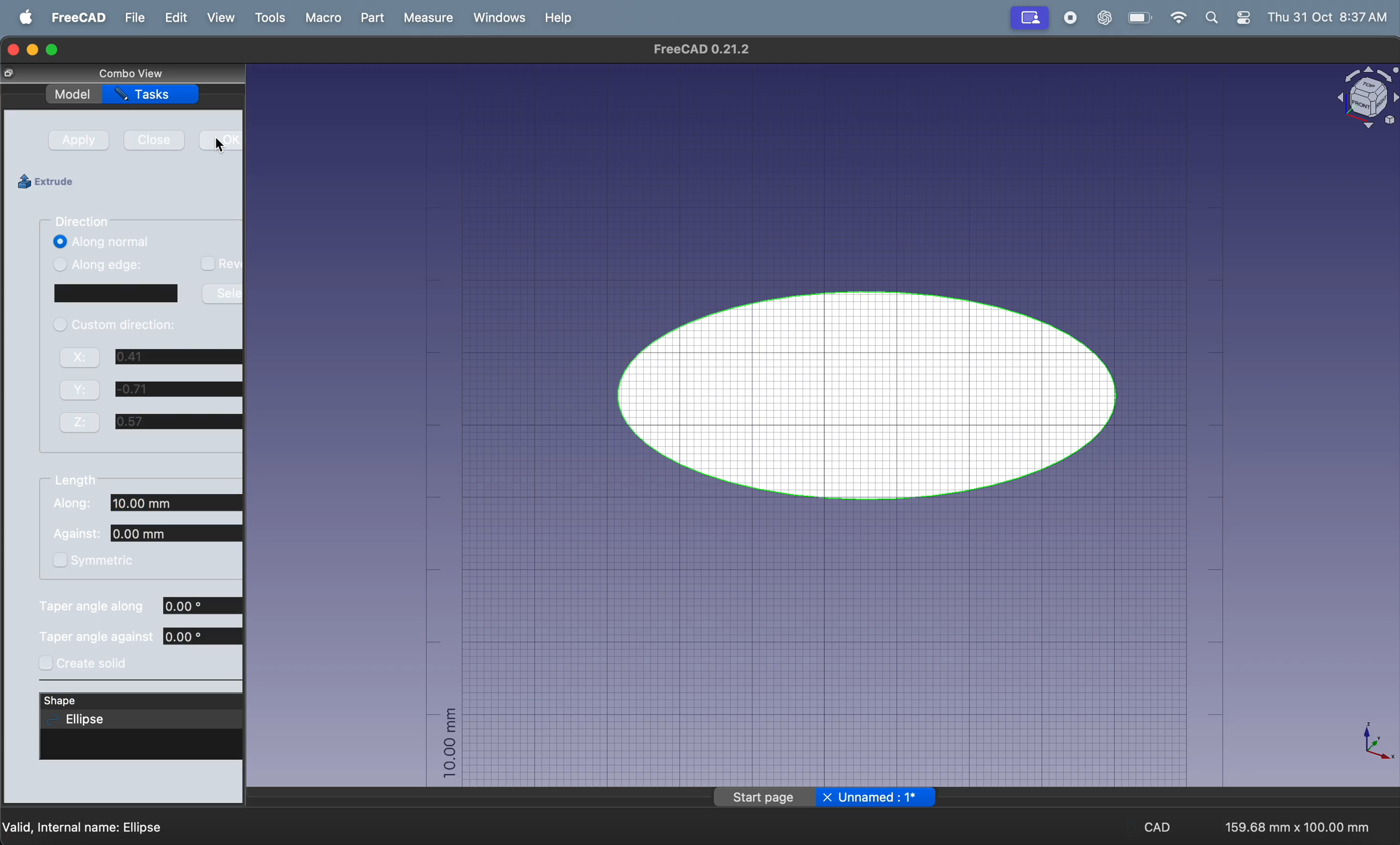 The width and height of the screenshot is (1400, 845). I want to click on freecad, so click(74, 19).